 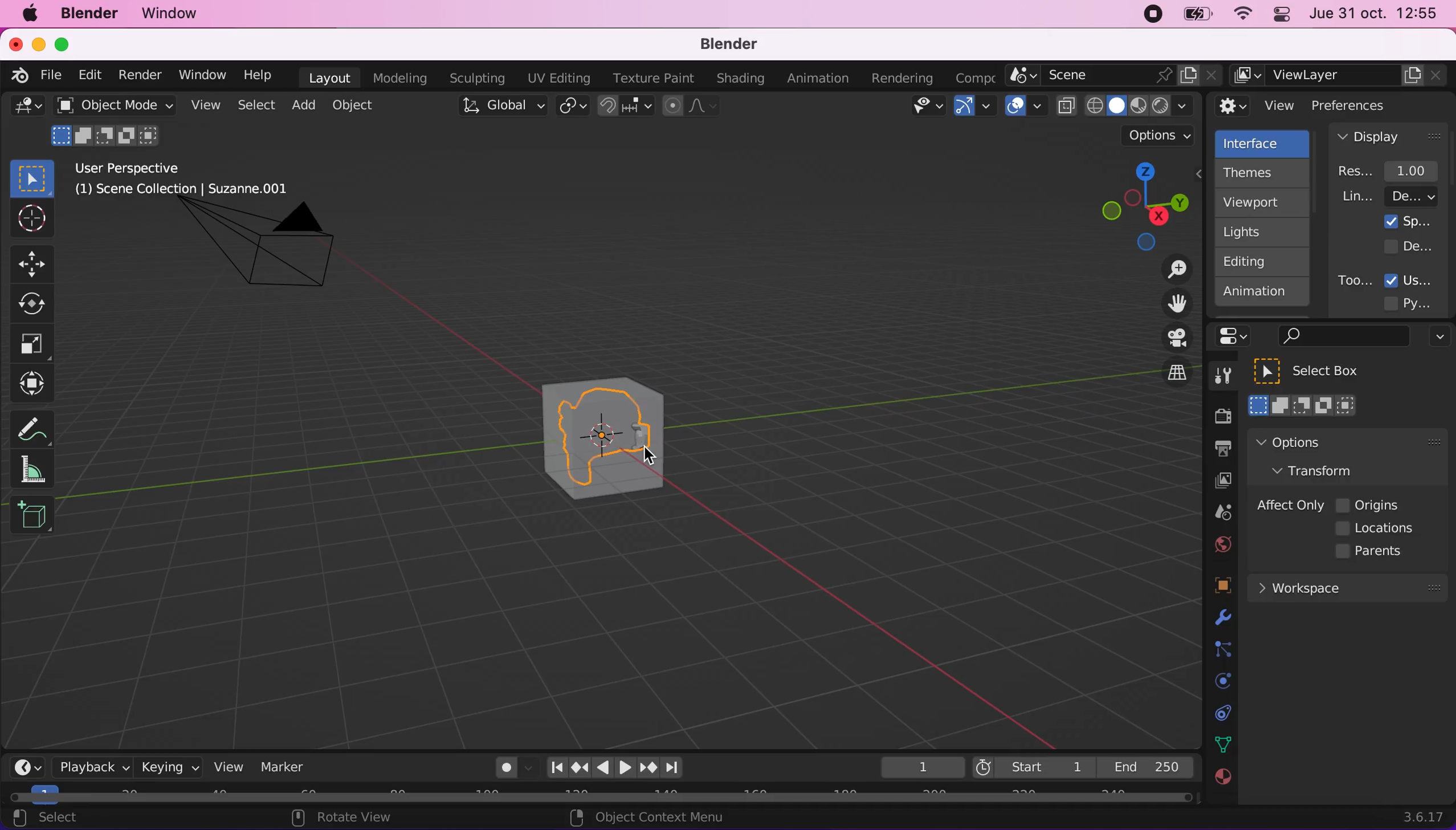 I want to click on jump to endpoint, so click(x=678, y=768).